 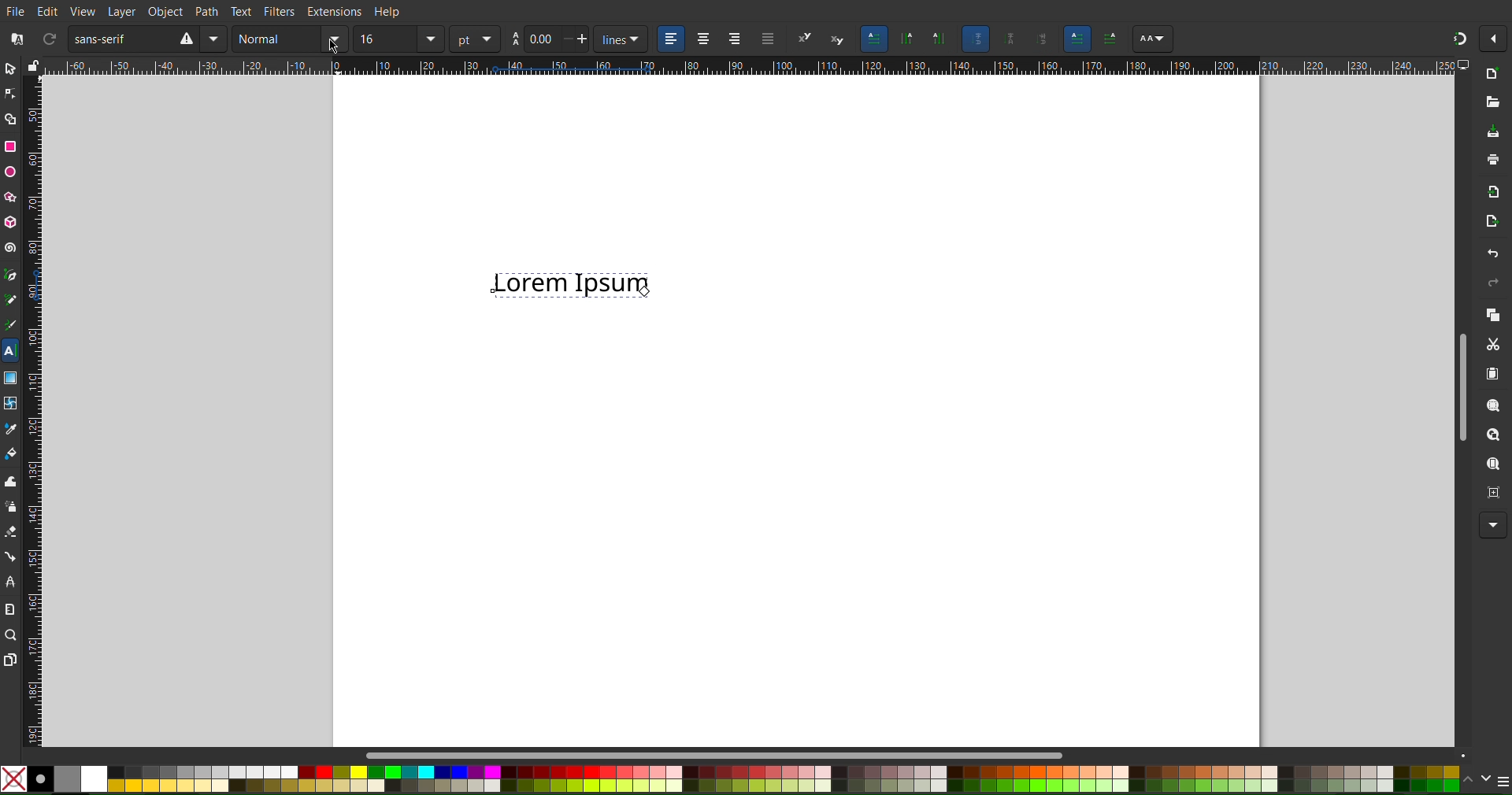 What do you see at coordinates (1489, 316) in the screenshot?
I see `Copy` at bounding box center [1489, 316].